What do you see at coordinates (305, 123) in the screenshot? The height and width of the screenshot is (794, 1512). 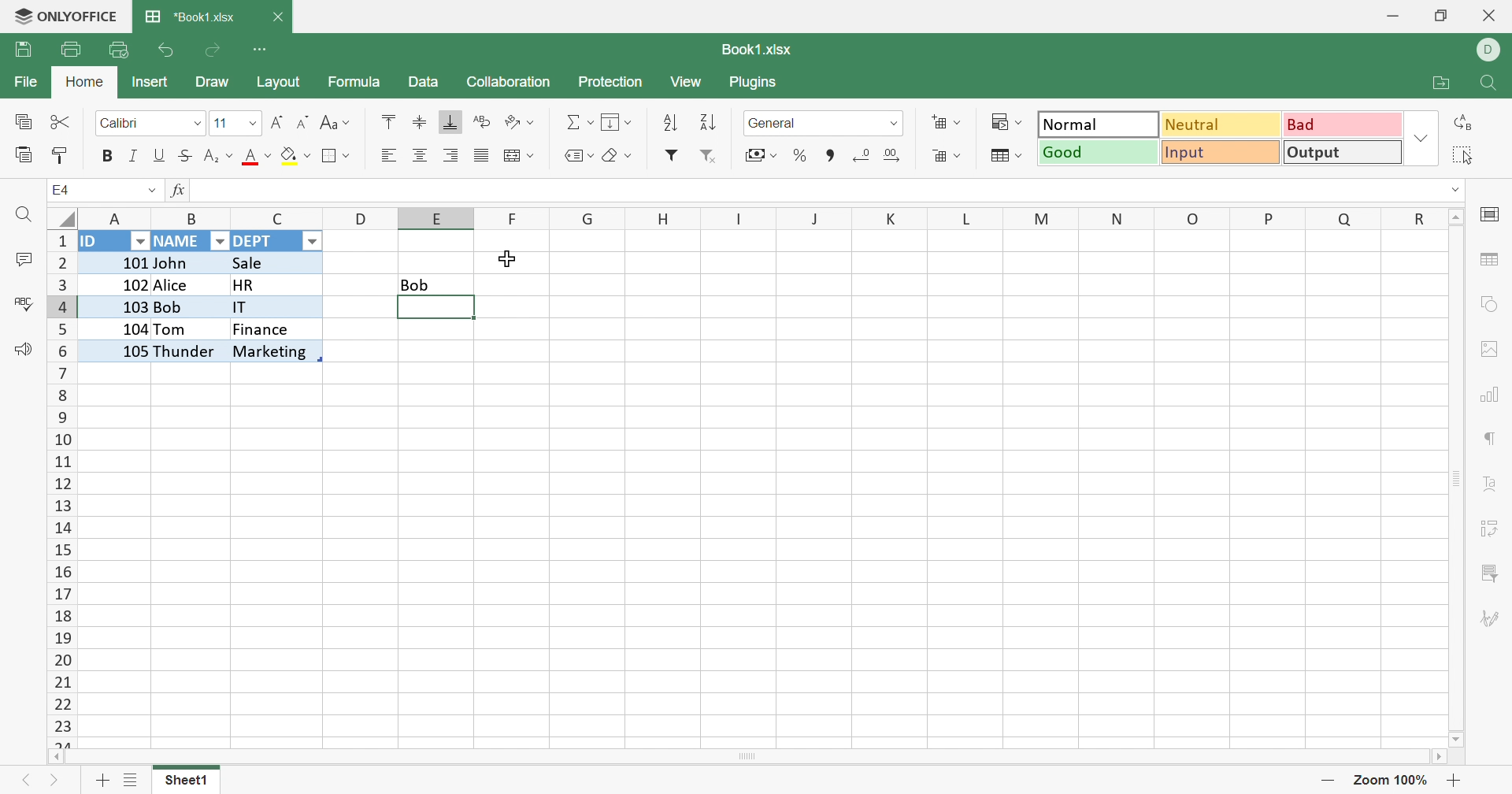 I see `Decrement font size` at bounding box center [305, 123].